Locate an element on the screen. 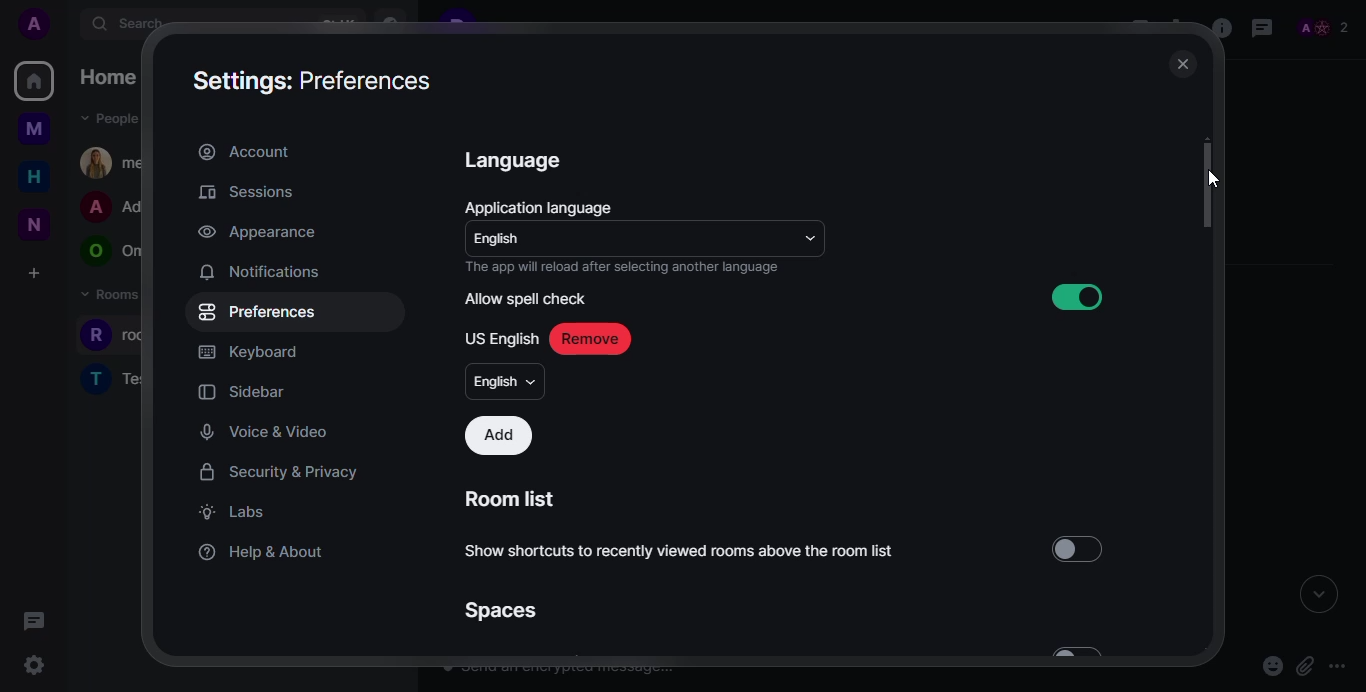 This screenshot has height=692, width=1366. people room is located at coordinates (115, 208).